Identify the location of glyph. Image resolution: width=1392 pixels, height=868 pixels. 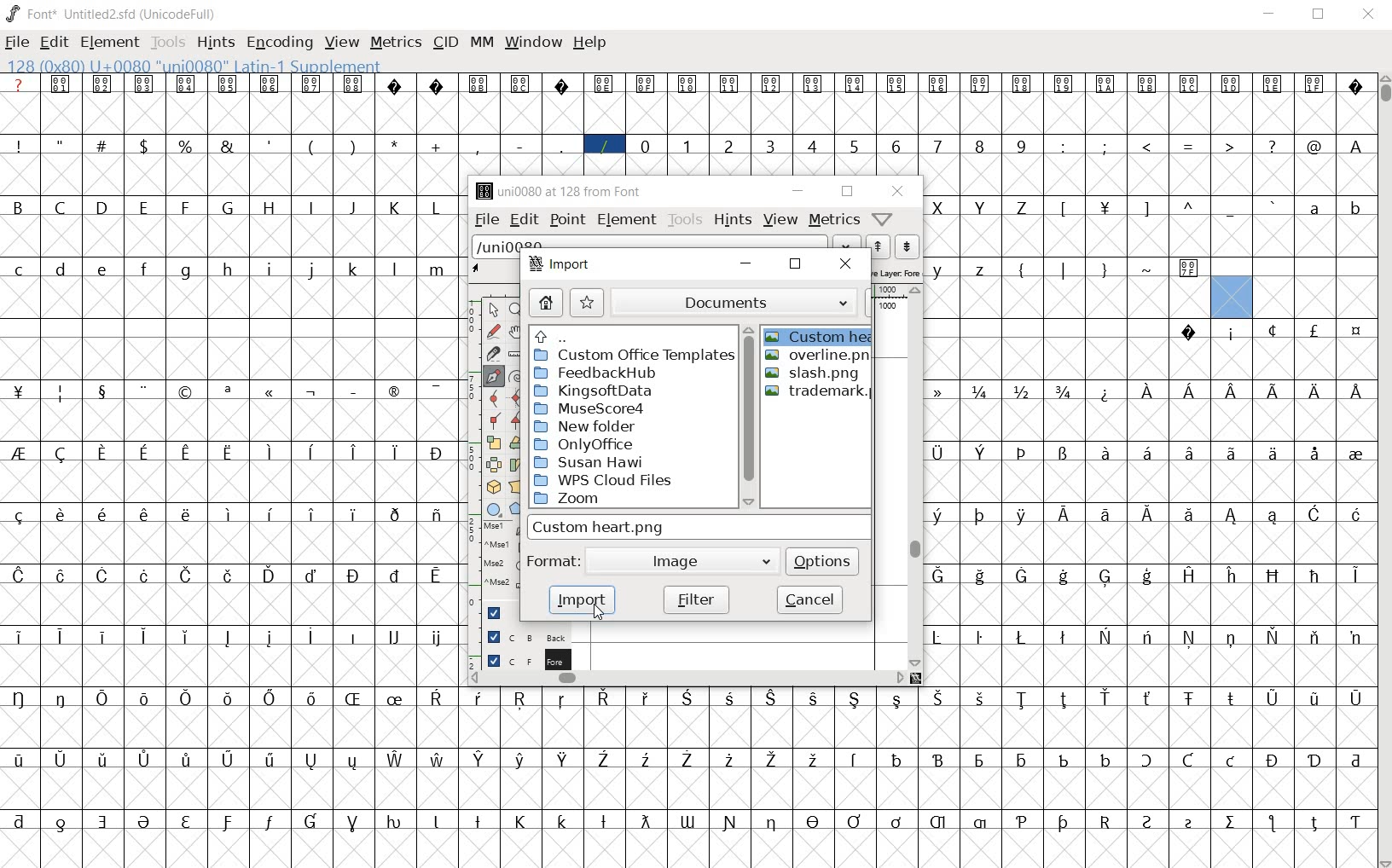
(19, 516).